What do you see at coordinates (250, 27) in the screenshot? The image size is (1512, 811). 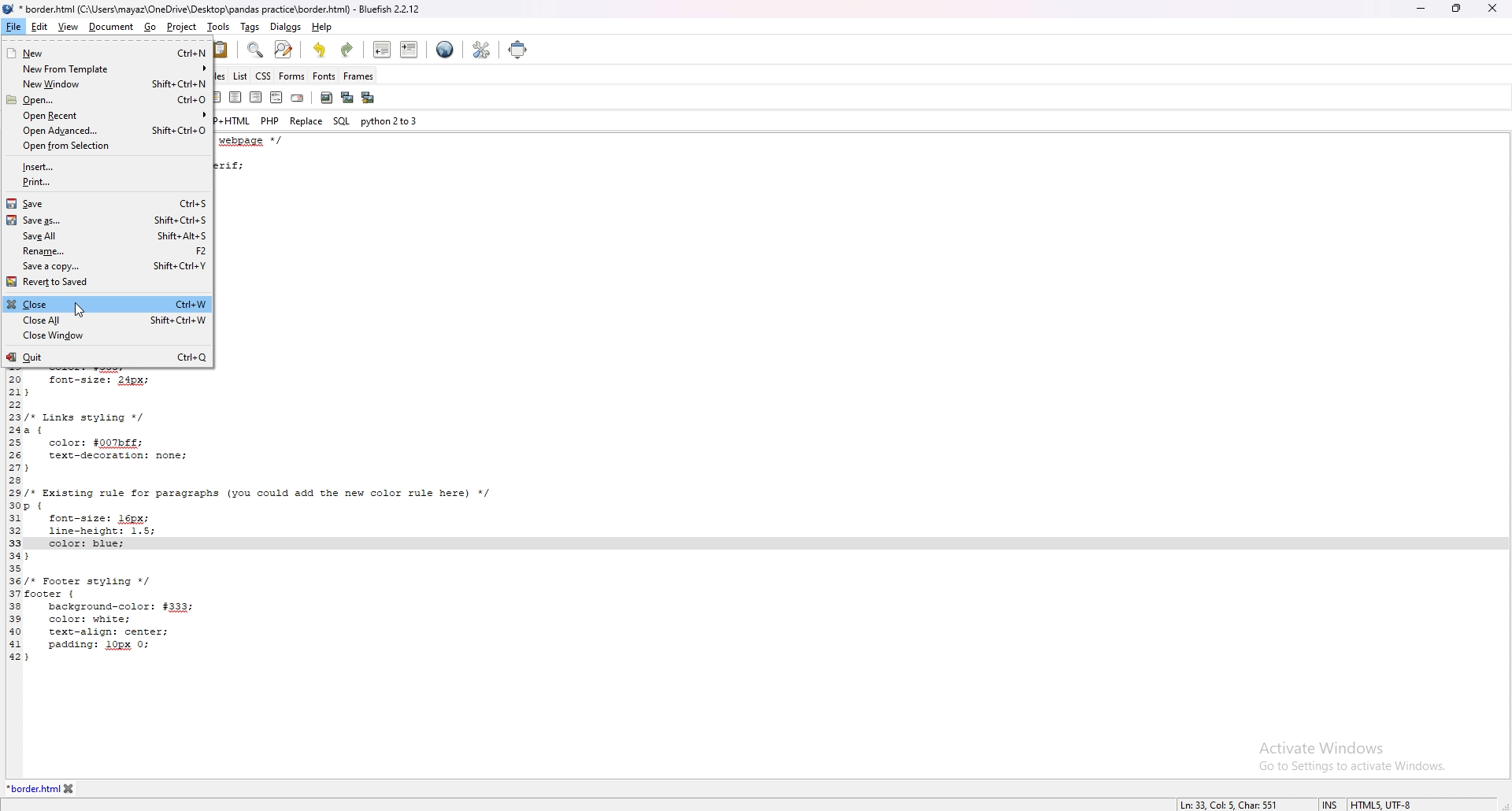 I see `tags` at bounding box center [250, 27].